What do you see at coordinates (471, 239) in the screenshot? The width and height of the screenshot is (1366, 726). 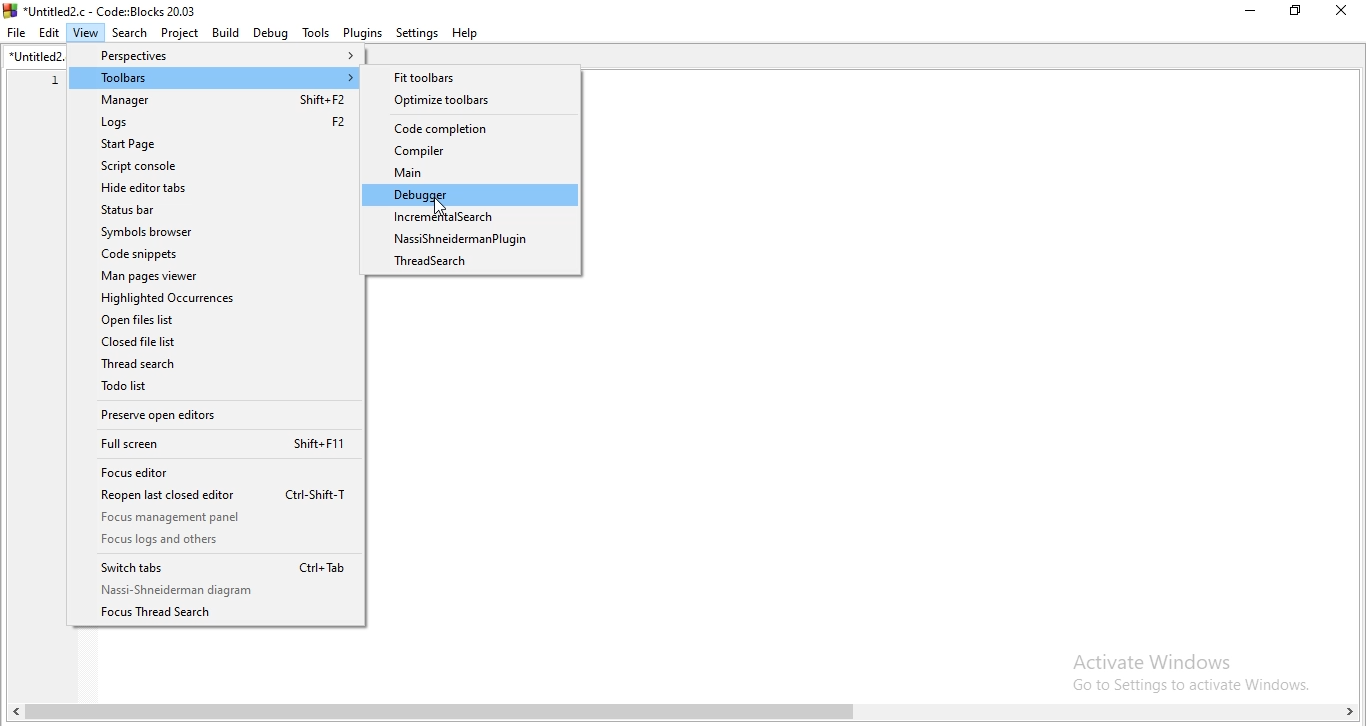 I see `Nasaishodema Plugin ` at bounding box center [471, 239].